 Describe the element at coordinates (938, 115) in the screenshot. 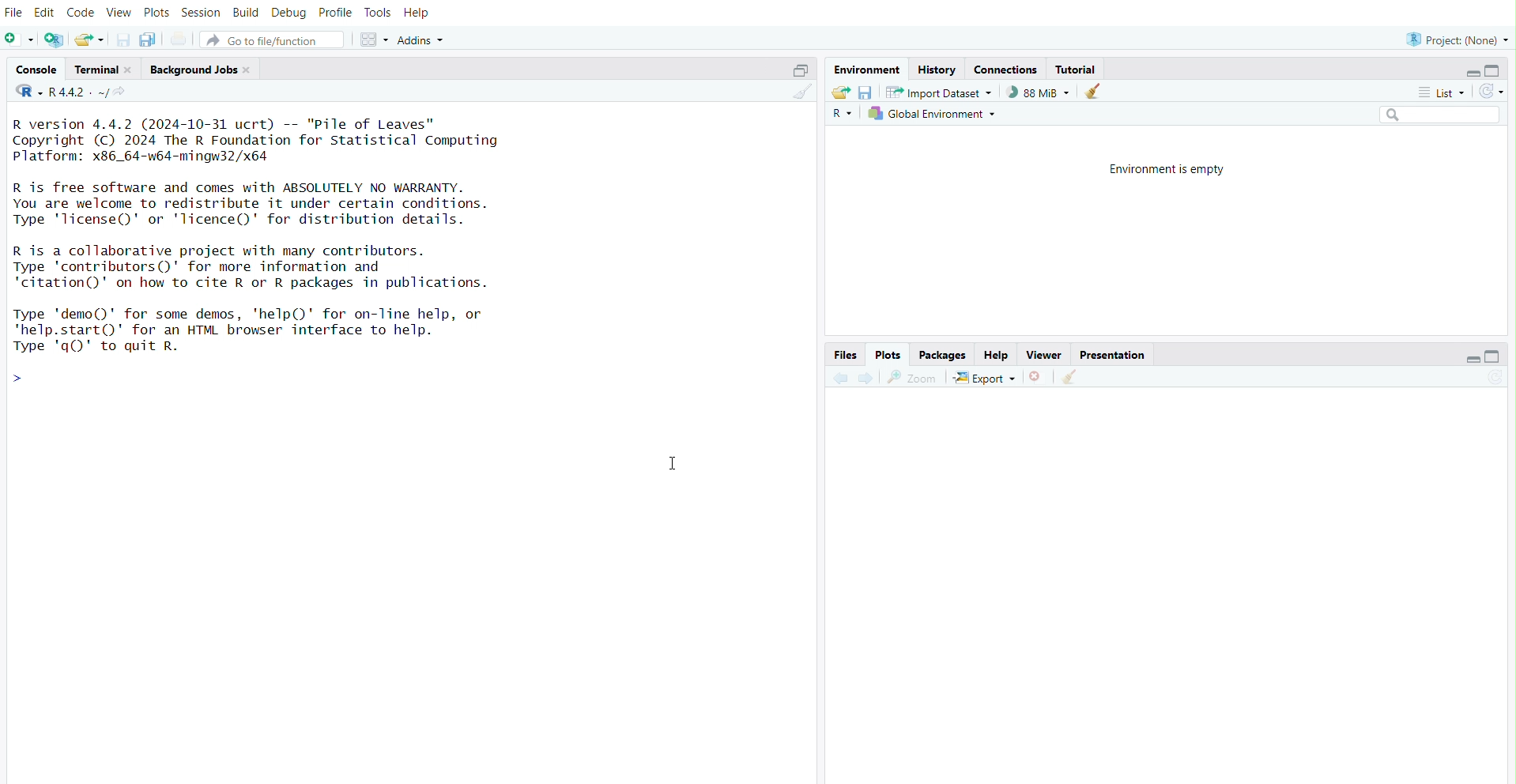

I see `global environment` at that location.